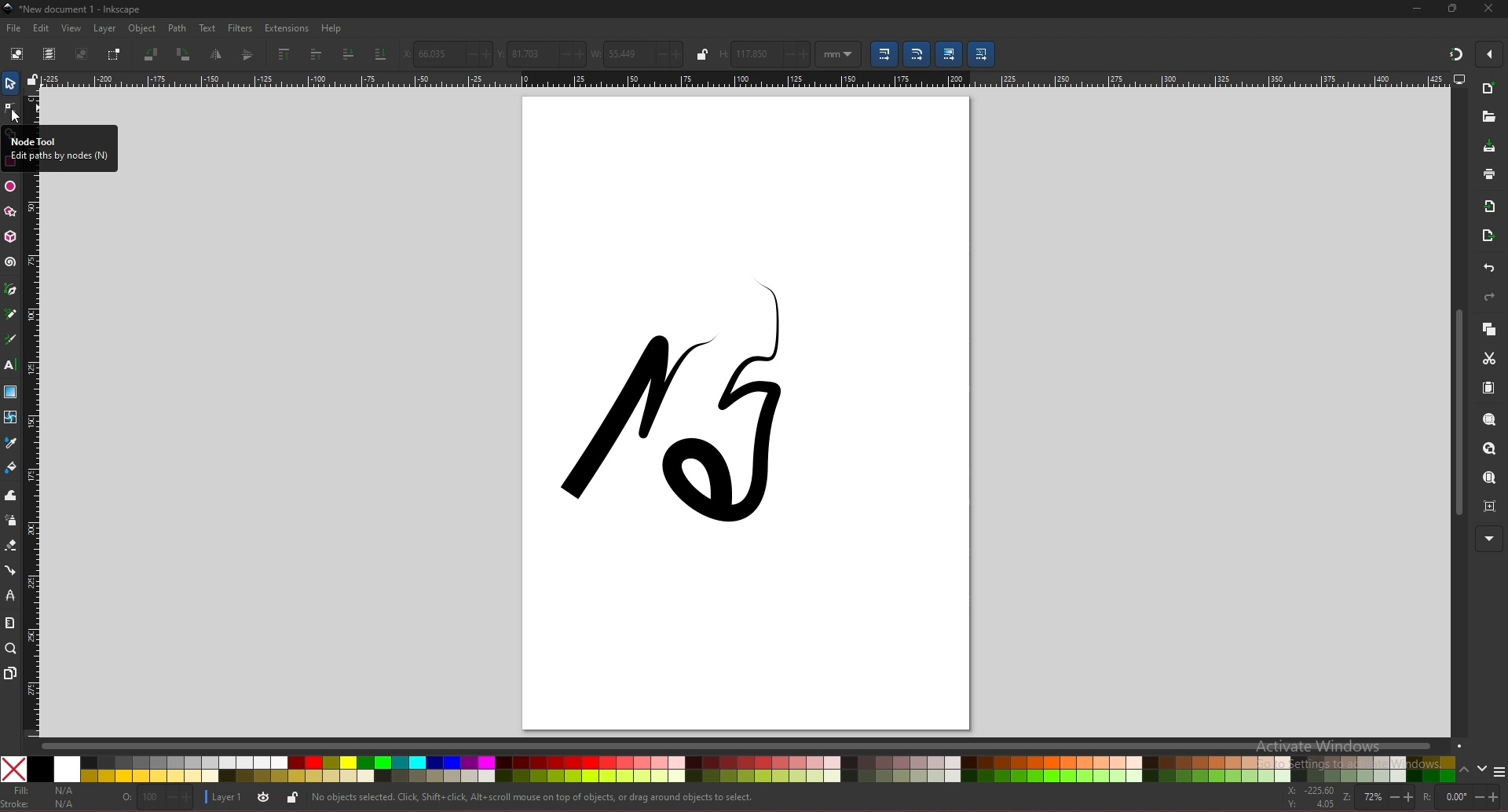 The width and height of the screenshot is (1508, 812). What do you see at coordinates (1458, 79) in the screenshot?
I see `display options` at bounding box center [1458, 79].